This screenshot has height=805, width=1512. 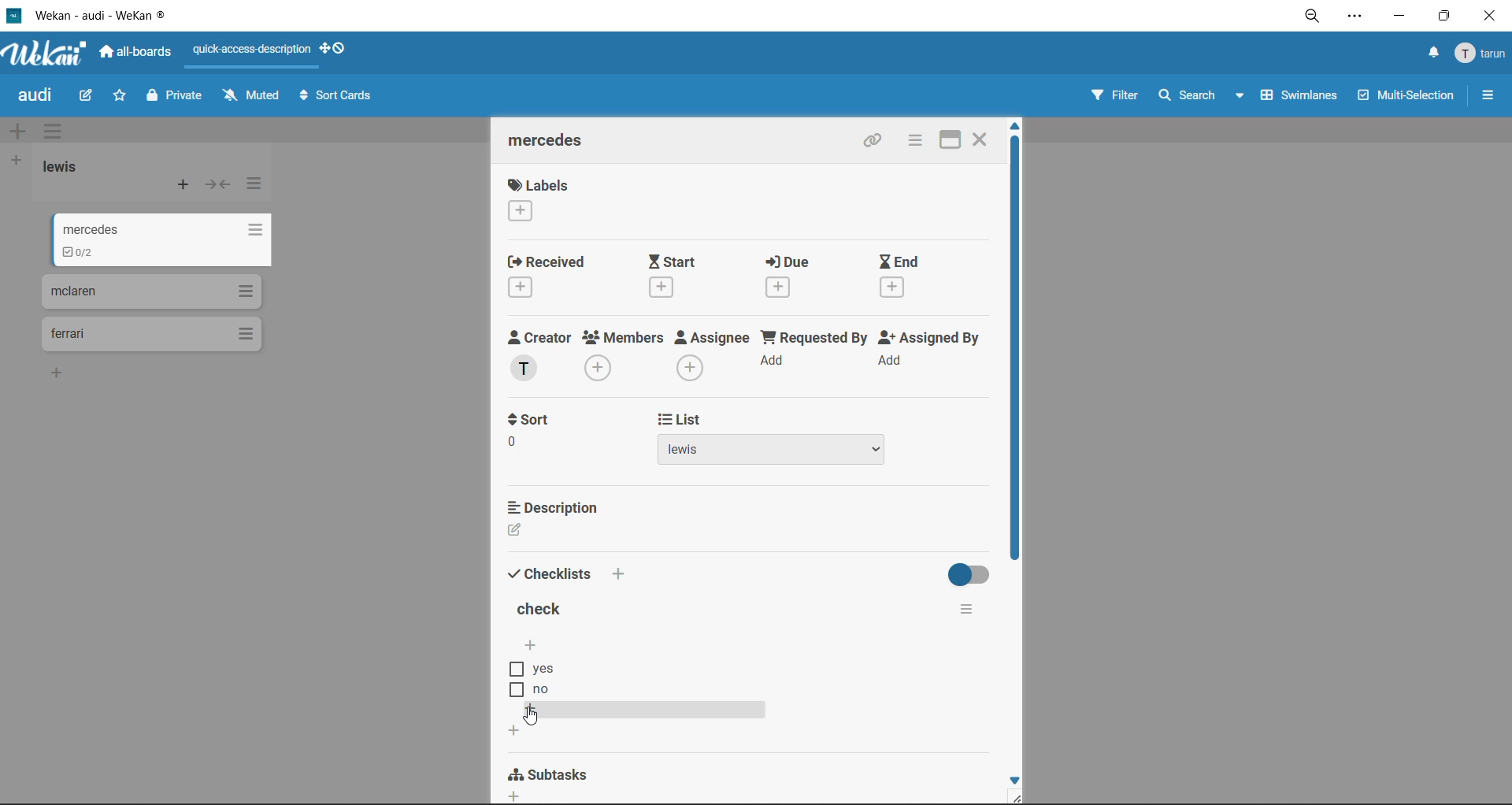 I want to click on multiselection, so click(x=1406, y=98).